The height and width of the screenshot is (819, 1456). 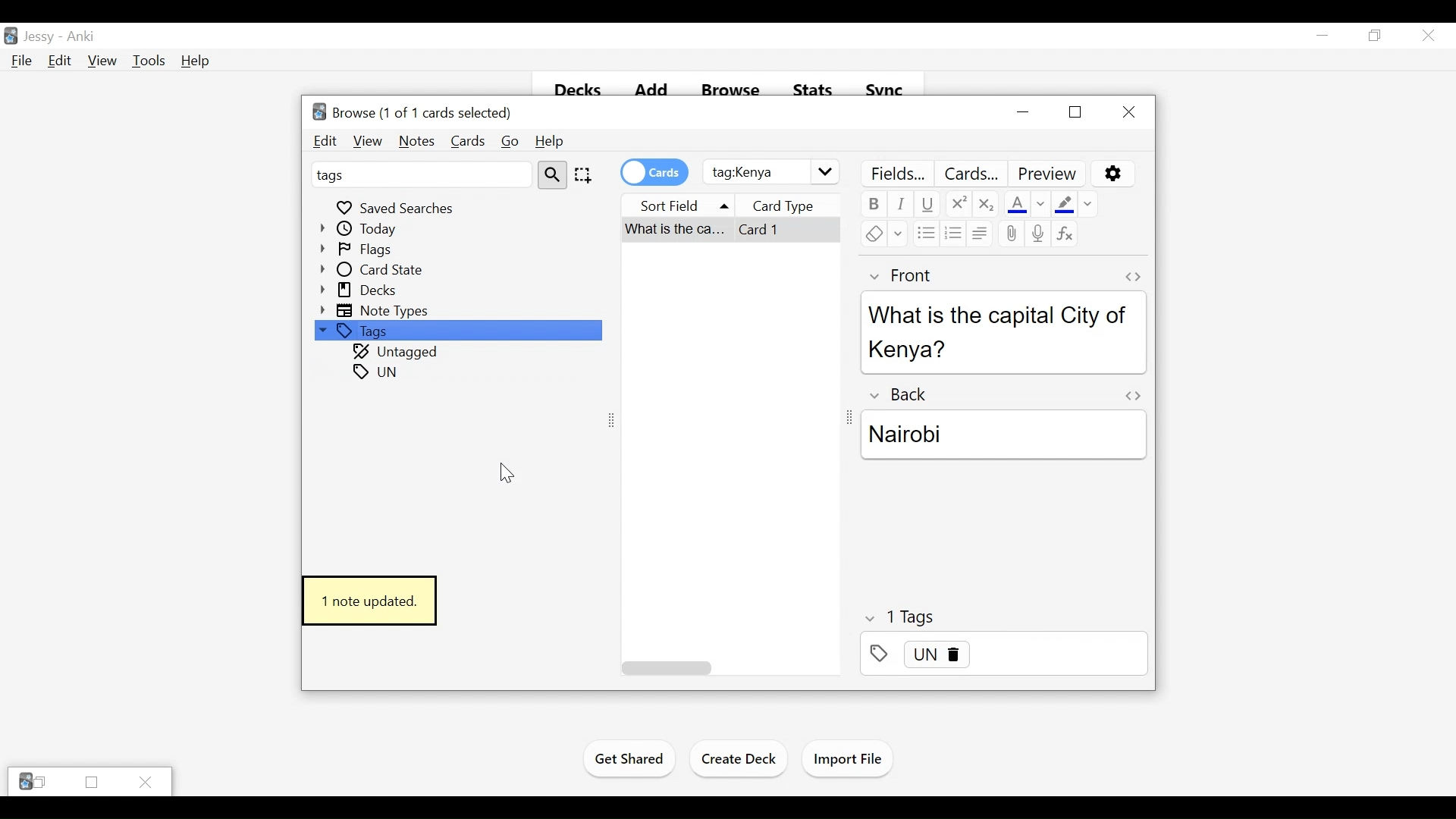 I want to click on View, so click(x=102, y=61).